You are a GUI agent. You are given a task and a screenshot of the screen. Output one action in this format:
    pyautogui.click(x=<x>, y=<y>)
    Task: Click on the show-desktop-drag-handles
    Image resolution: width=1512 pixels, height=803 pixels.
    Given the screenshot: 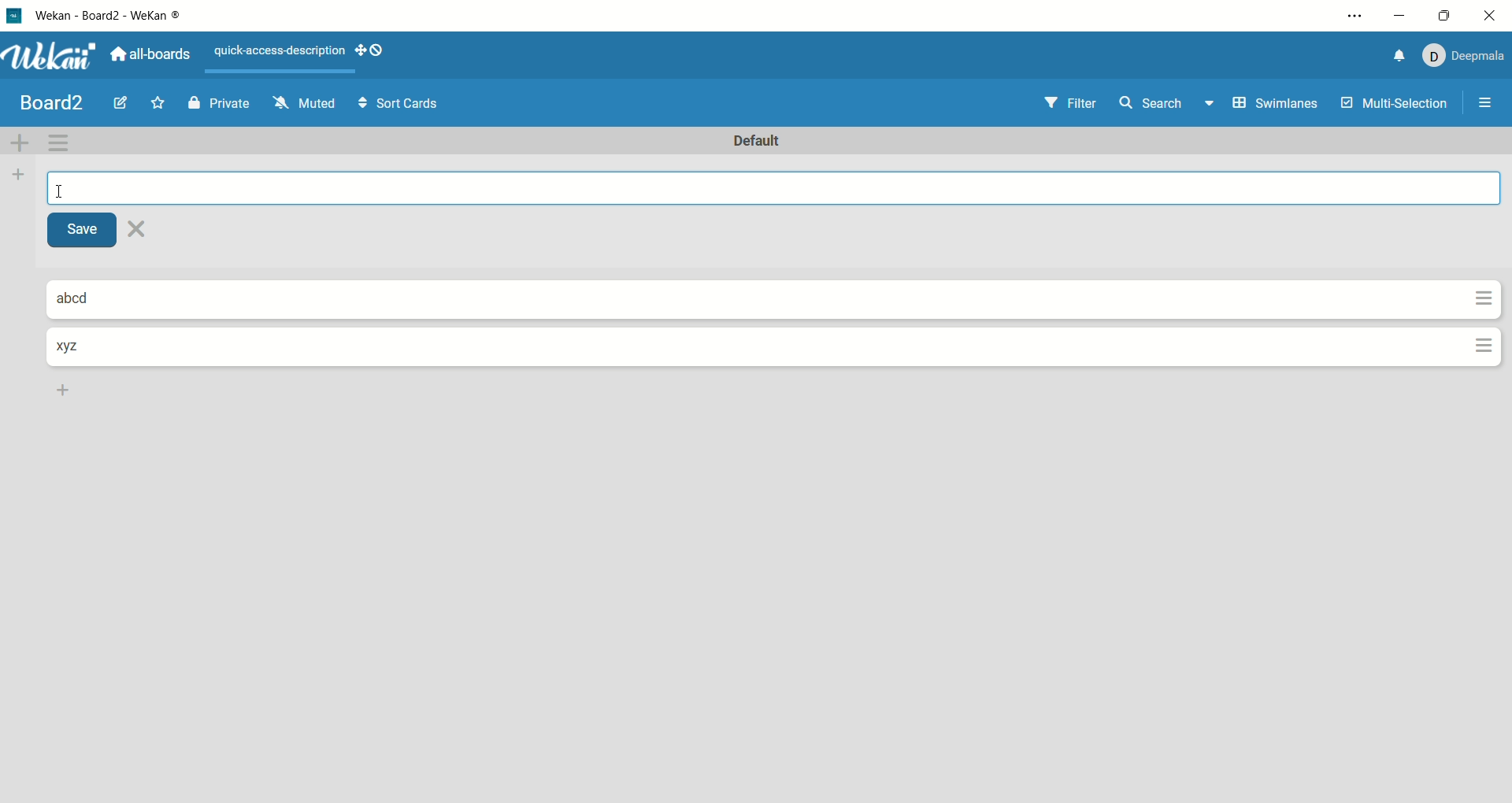 What is the action you would take?
    pyautogui.click(x=376, y=52)
    